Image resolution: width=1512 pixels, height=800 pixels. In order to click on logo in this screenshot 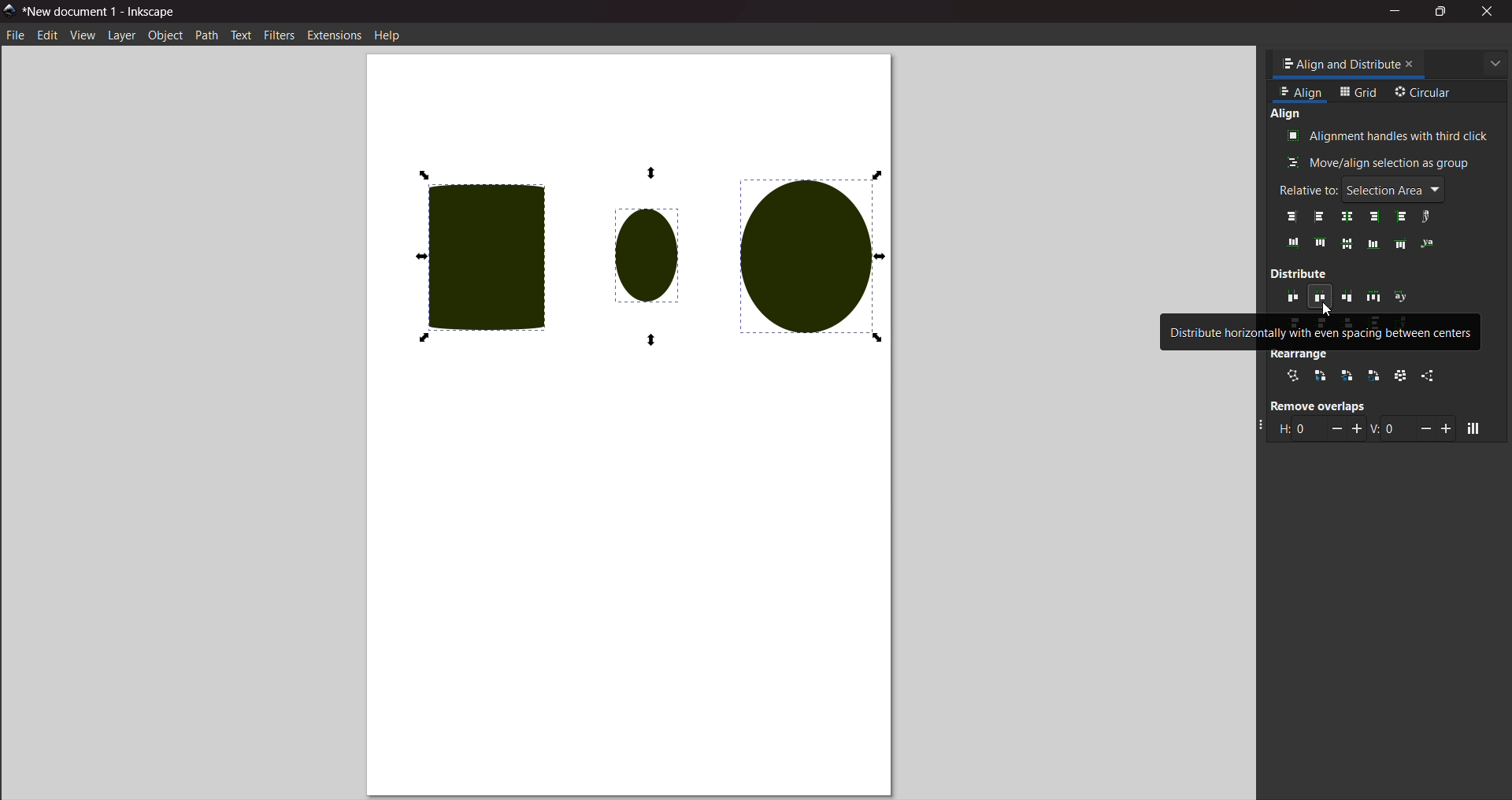, I will do `click(11, 10)`.